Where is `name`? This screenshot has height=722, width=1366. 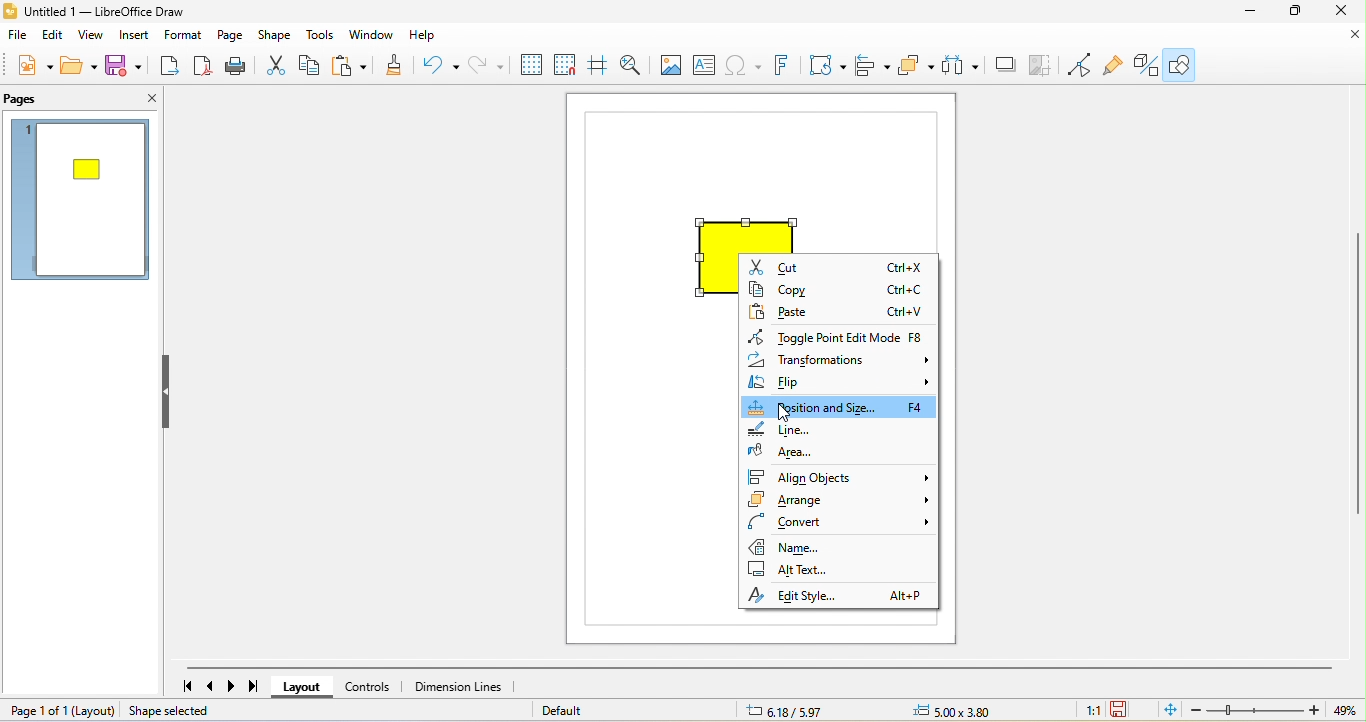
name is located at coordinates (838, 545).